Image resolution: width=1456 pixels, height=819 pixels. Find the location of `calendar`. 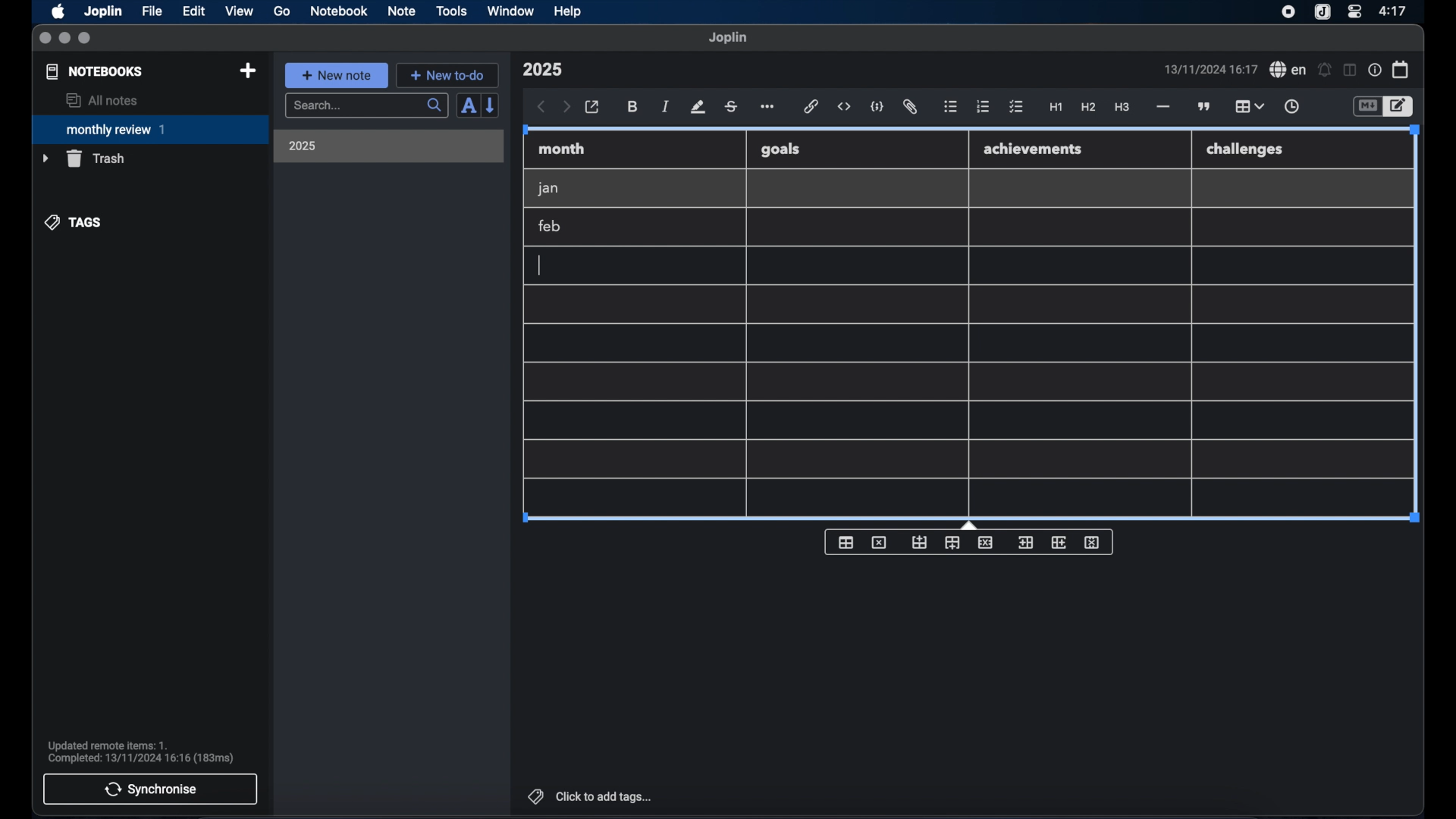

calendar is located at coordinates (1401, 69).